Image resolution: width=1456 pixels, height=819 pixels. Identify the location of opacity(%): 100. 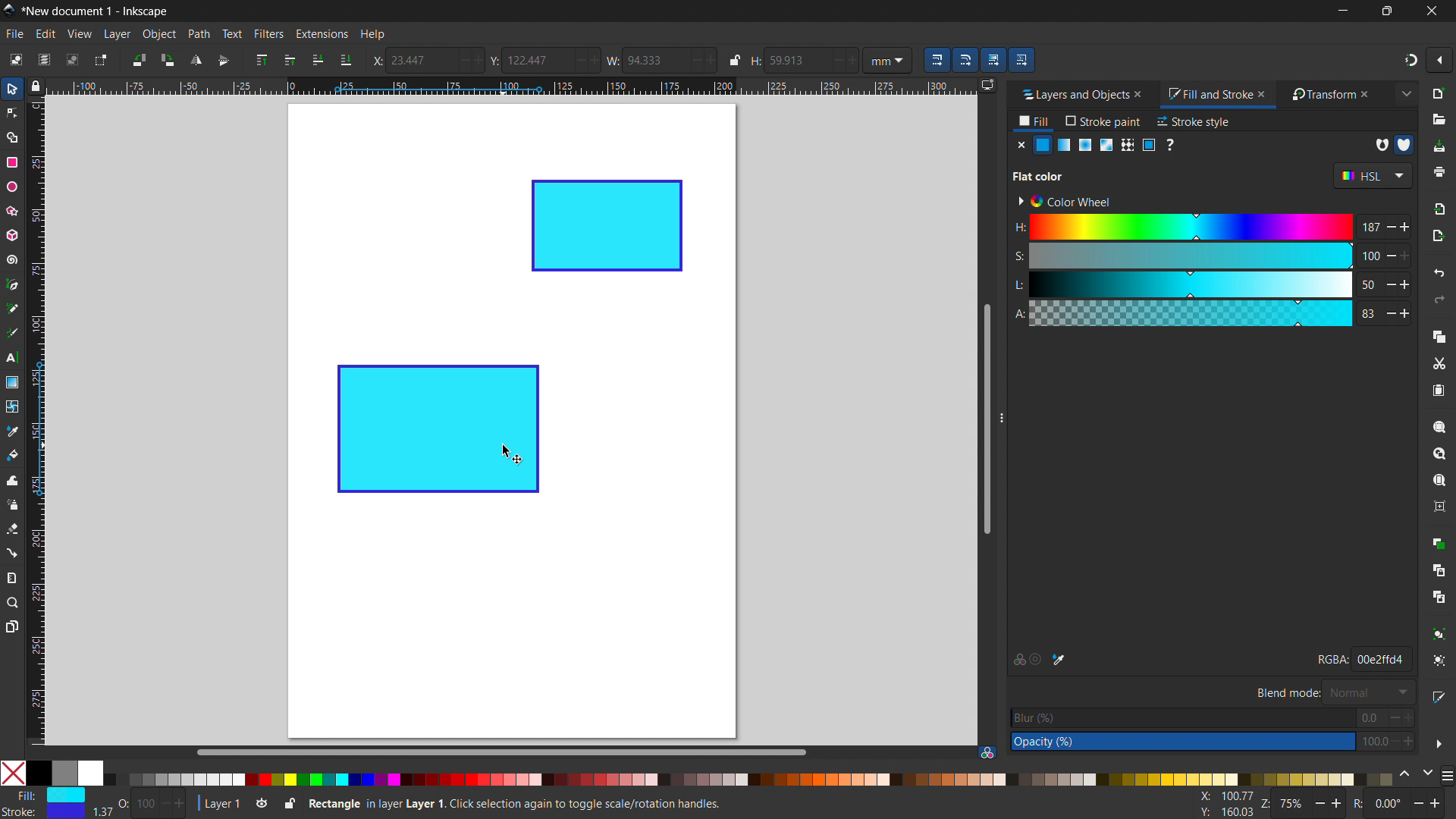
(1213, 742).